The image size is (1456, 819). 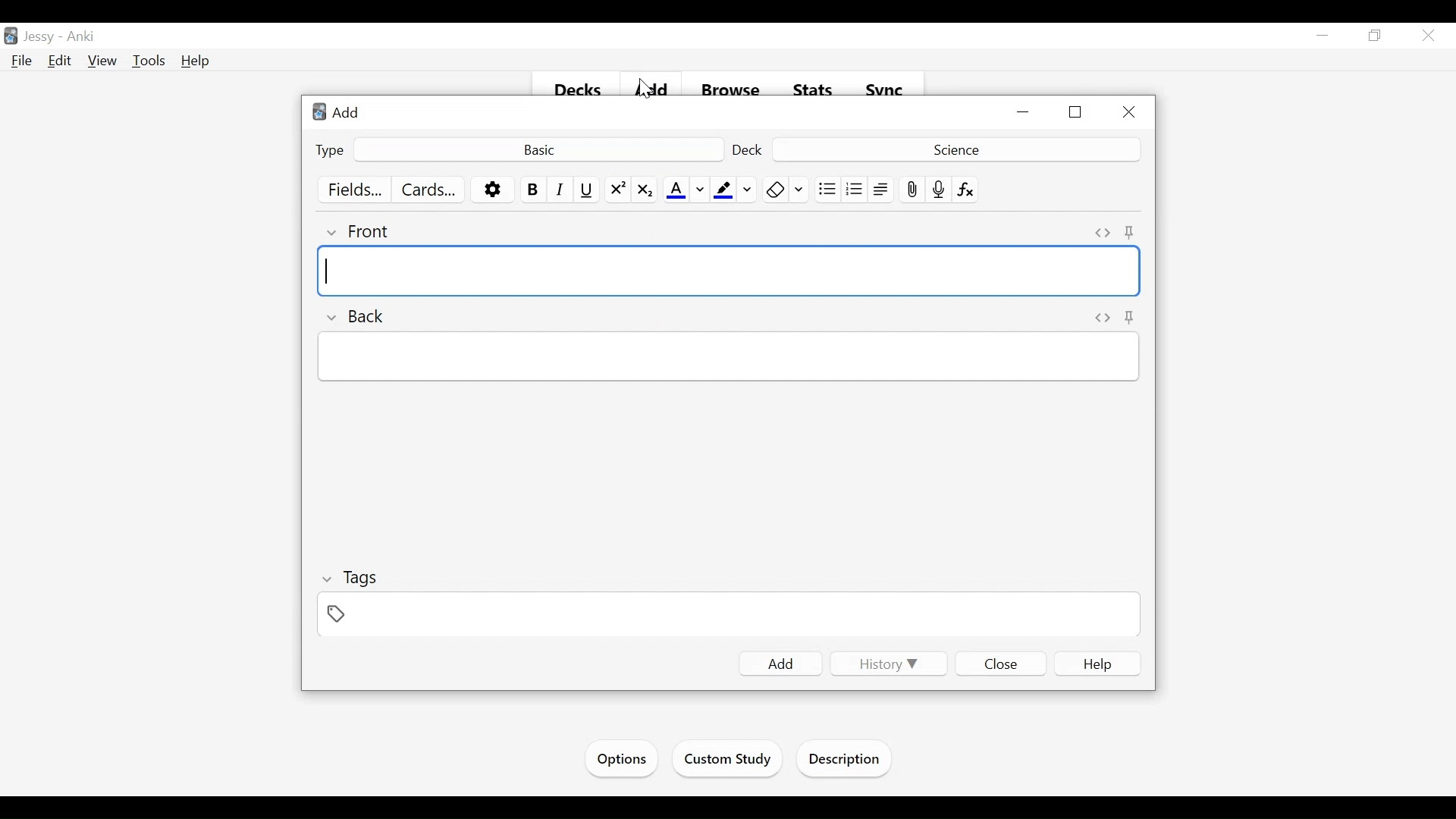 What do you see at coordinates (676, 190) in the screenshot?
I see `Text Color` at bounding box center [676, 190].